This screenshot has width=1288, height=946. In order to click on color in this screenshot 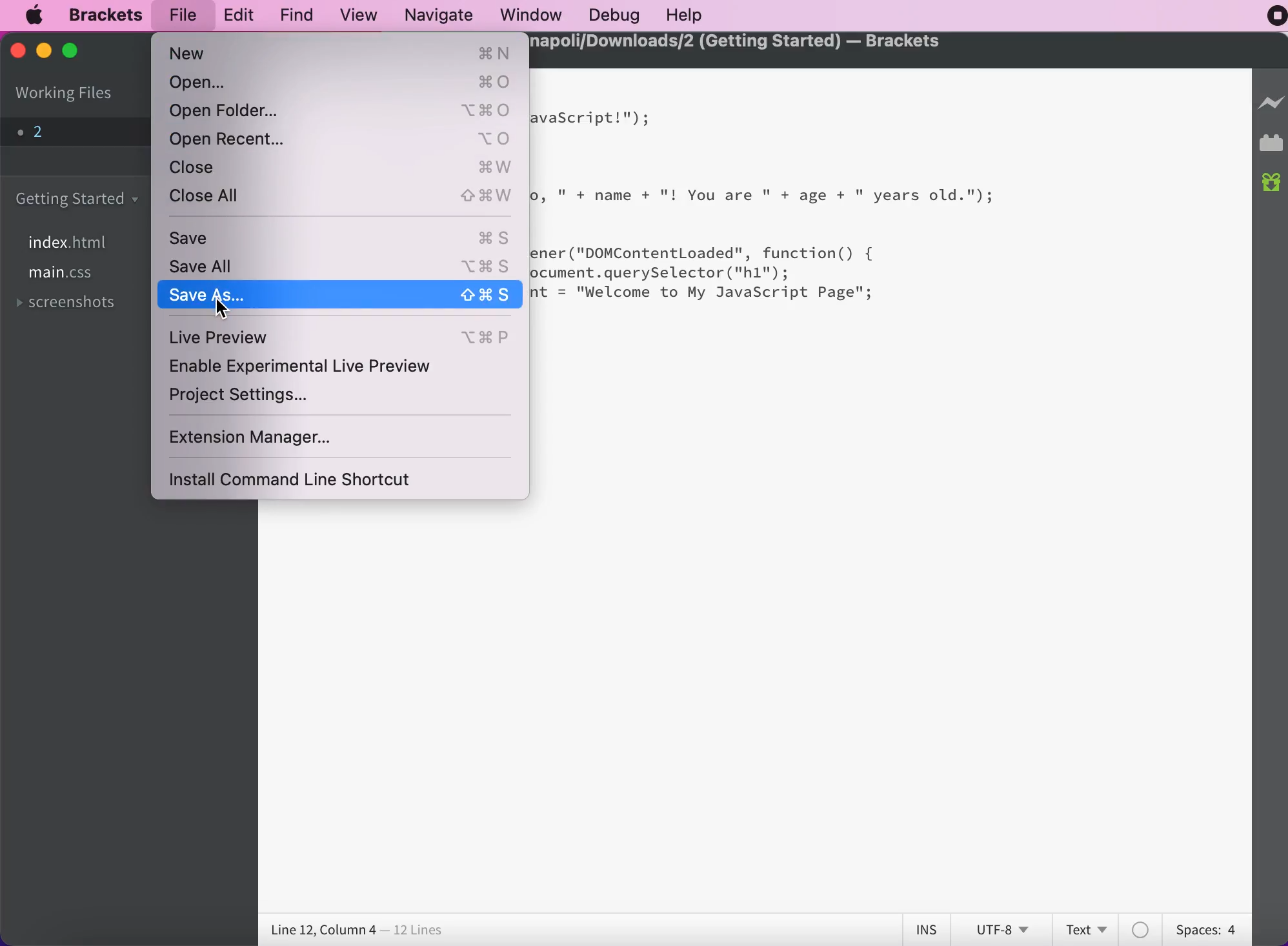, I will do `click(1142, 929)`.